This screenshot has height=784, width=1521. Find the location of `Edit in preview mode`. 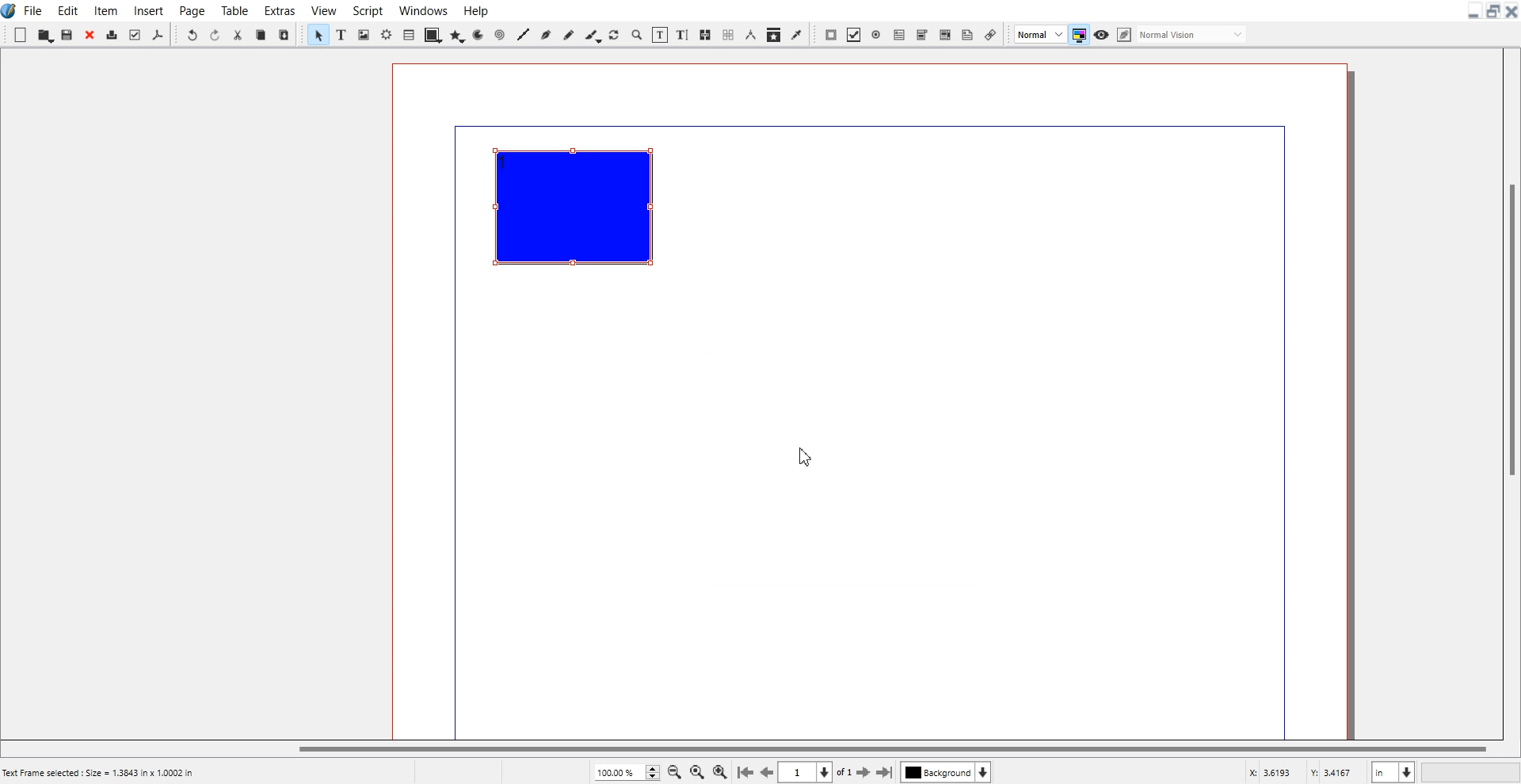

Edit in preview mode is located at coordinates (1183, 33).